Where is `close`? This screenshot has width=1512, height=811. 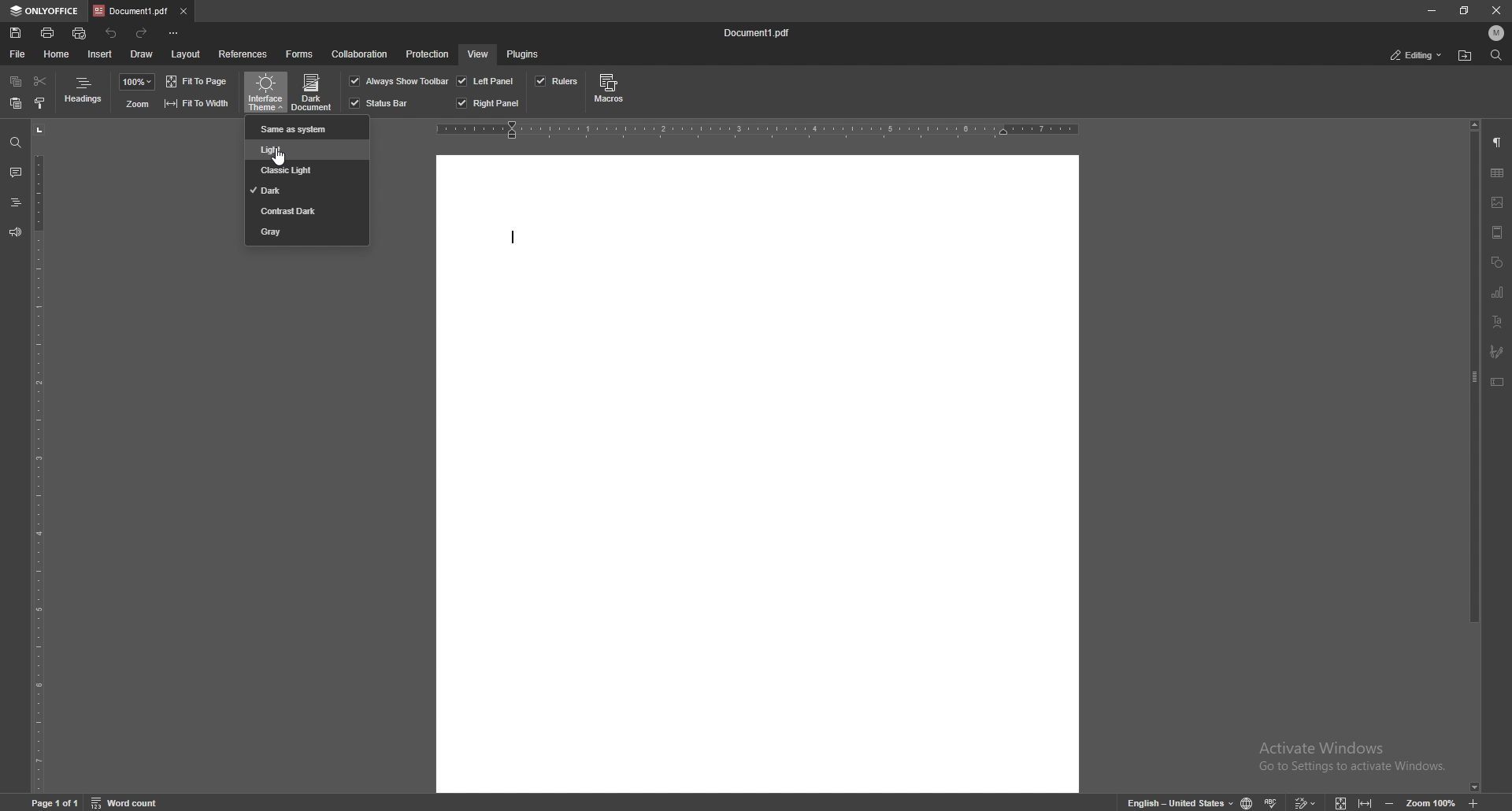
close is located at coordinates (1492, 11).